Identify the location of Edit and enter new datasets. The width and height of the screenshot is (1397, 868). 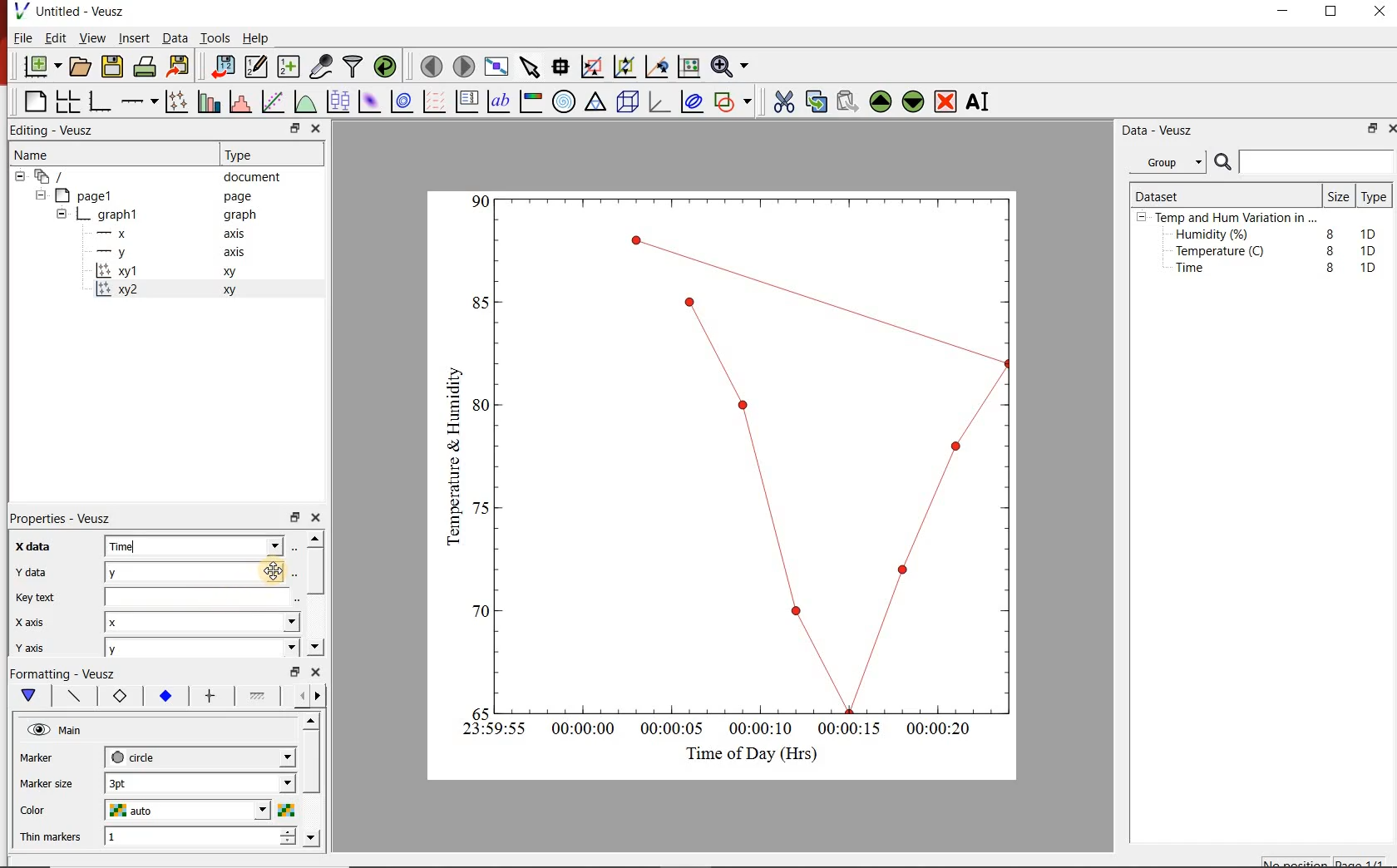
(257, 67).